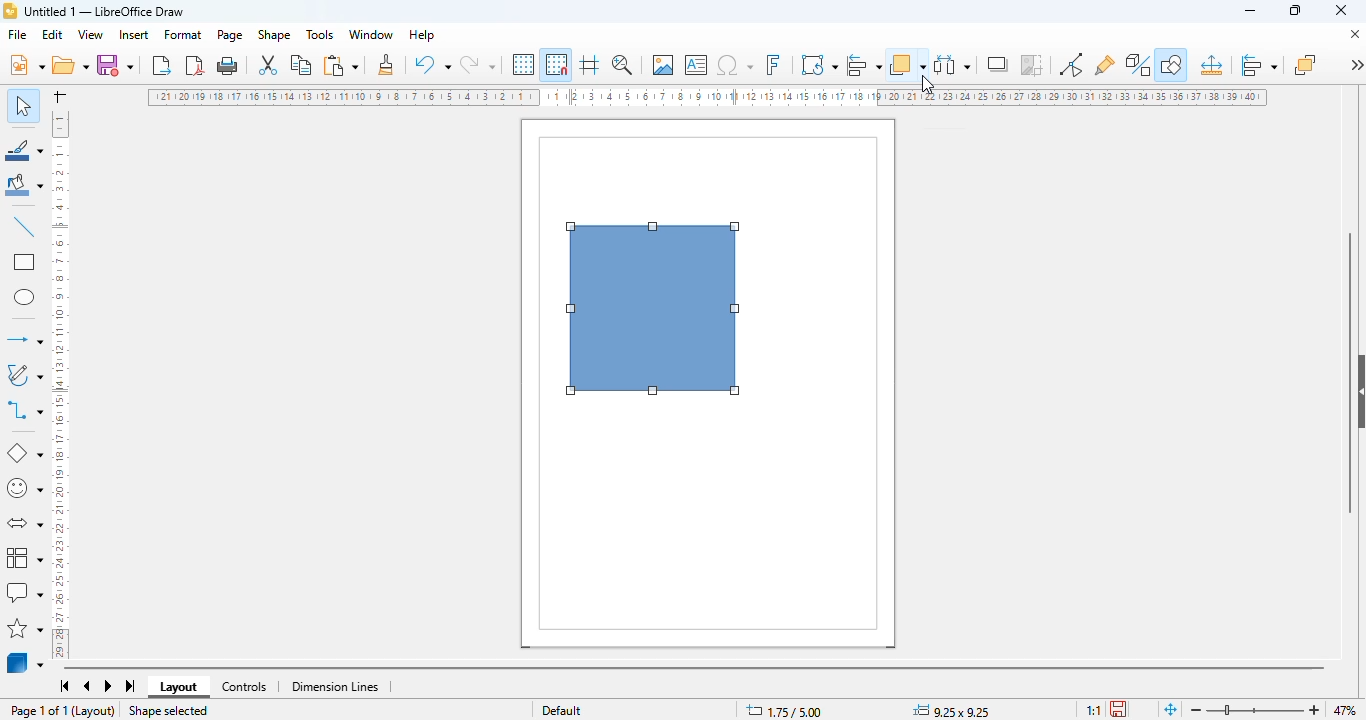 Image resolution: width=1366 pixels, height=720 pixels. Describe the element at coordinates (24, 489) in the screenshot. I see `symbol shapes` at that location.